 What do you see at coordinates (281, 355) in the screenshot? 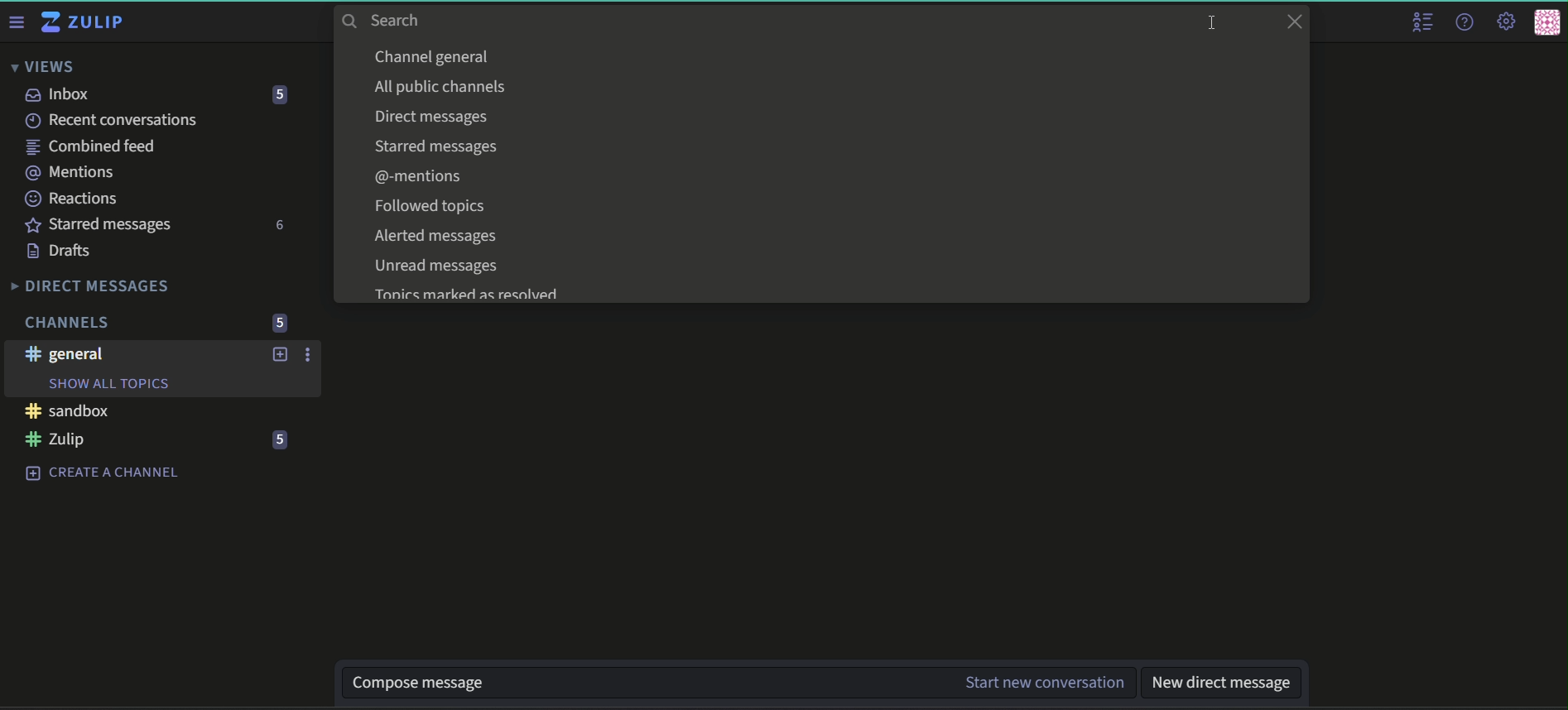
I see `add` at bounding box center [281, 355].